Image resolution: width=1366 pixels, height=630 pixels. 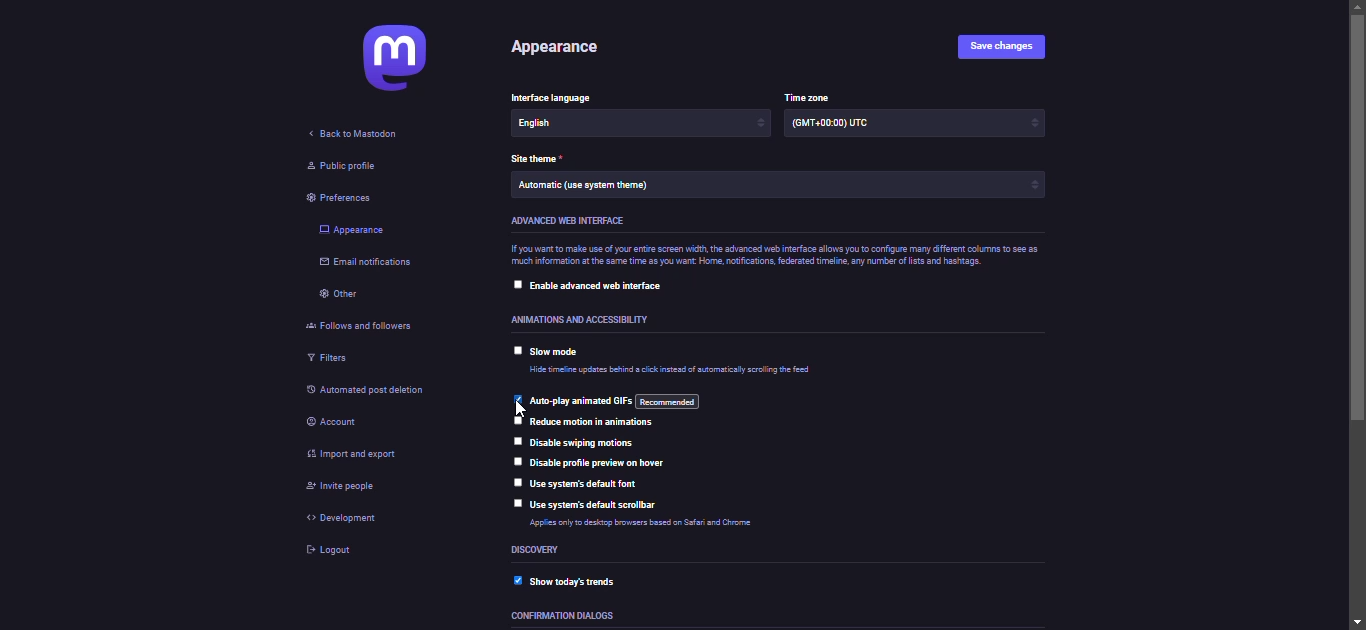 I want to click on public profile, so click(x=342, y=166).